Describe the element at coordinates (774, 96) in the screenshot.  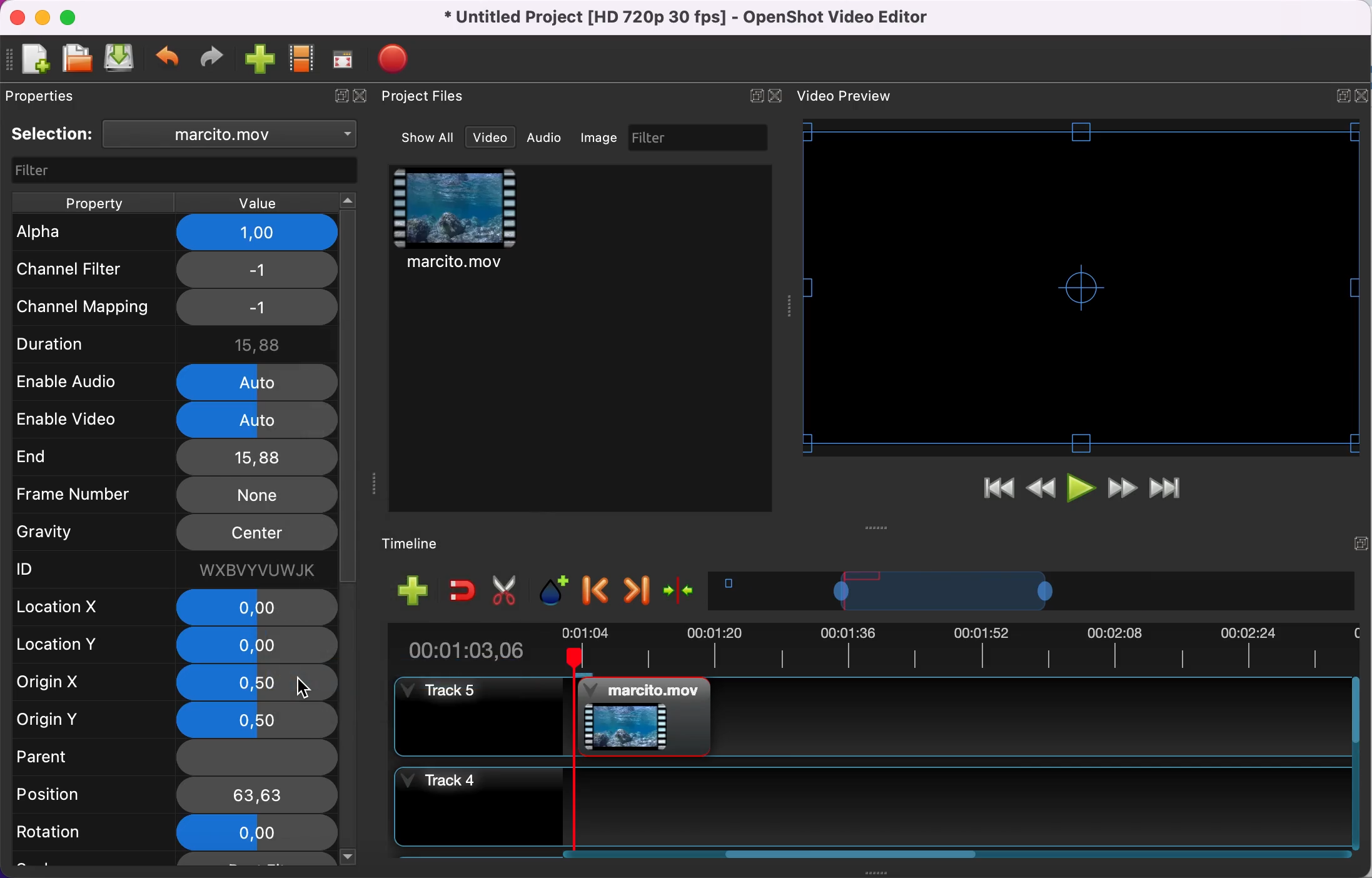
I see `Close` at that location.